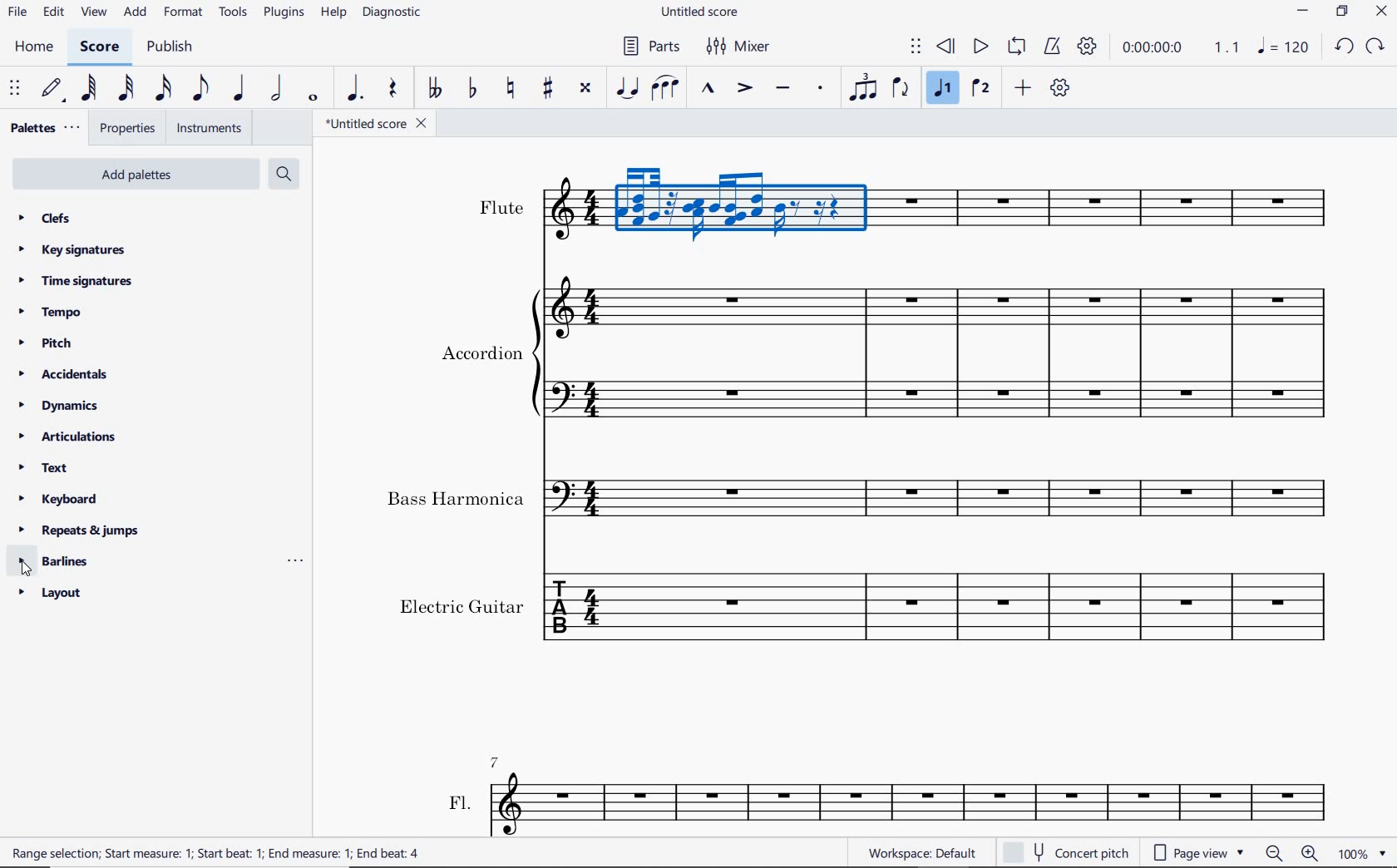 Image resolution: width=1397 pixels, height=868 pixels. What do you see at coordinates (916, 47) in the screenshot?
I see `select to move` at bounding box center [916, 47].